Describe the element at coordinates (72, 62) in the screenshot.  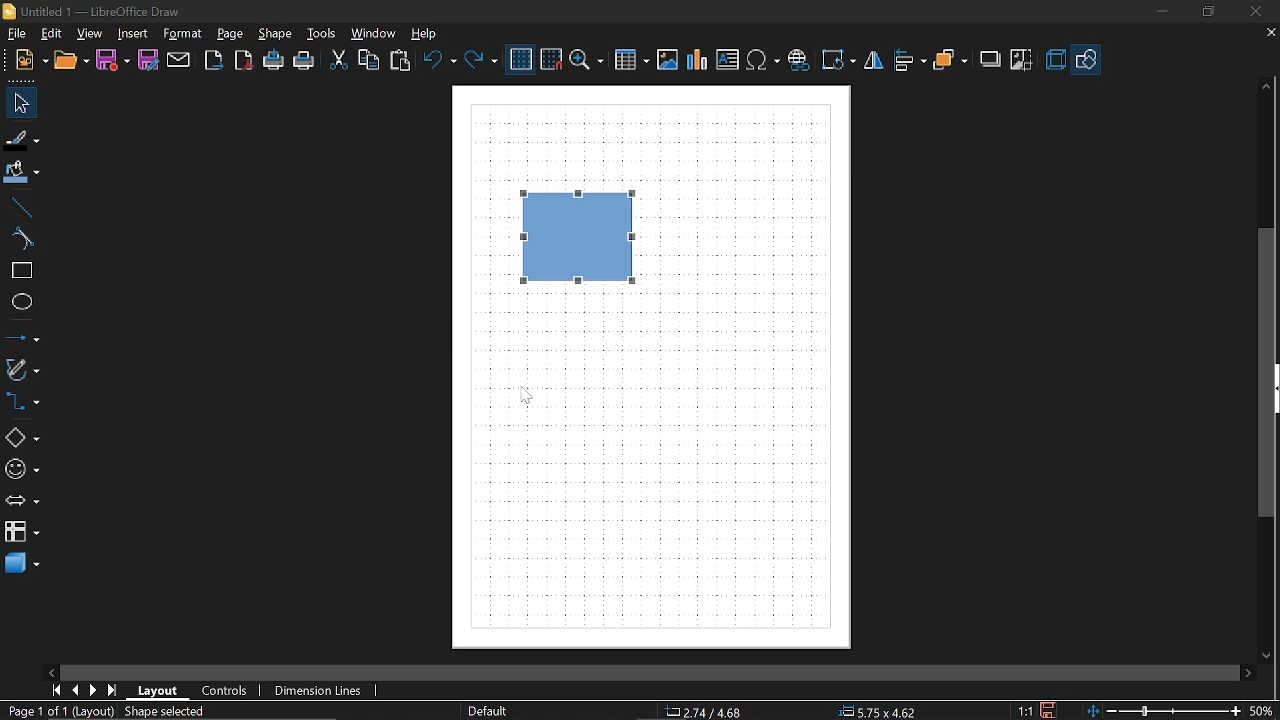
I see `Open` at that location.